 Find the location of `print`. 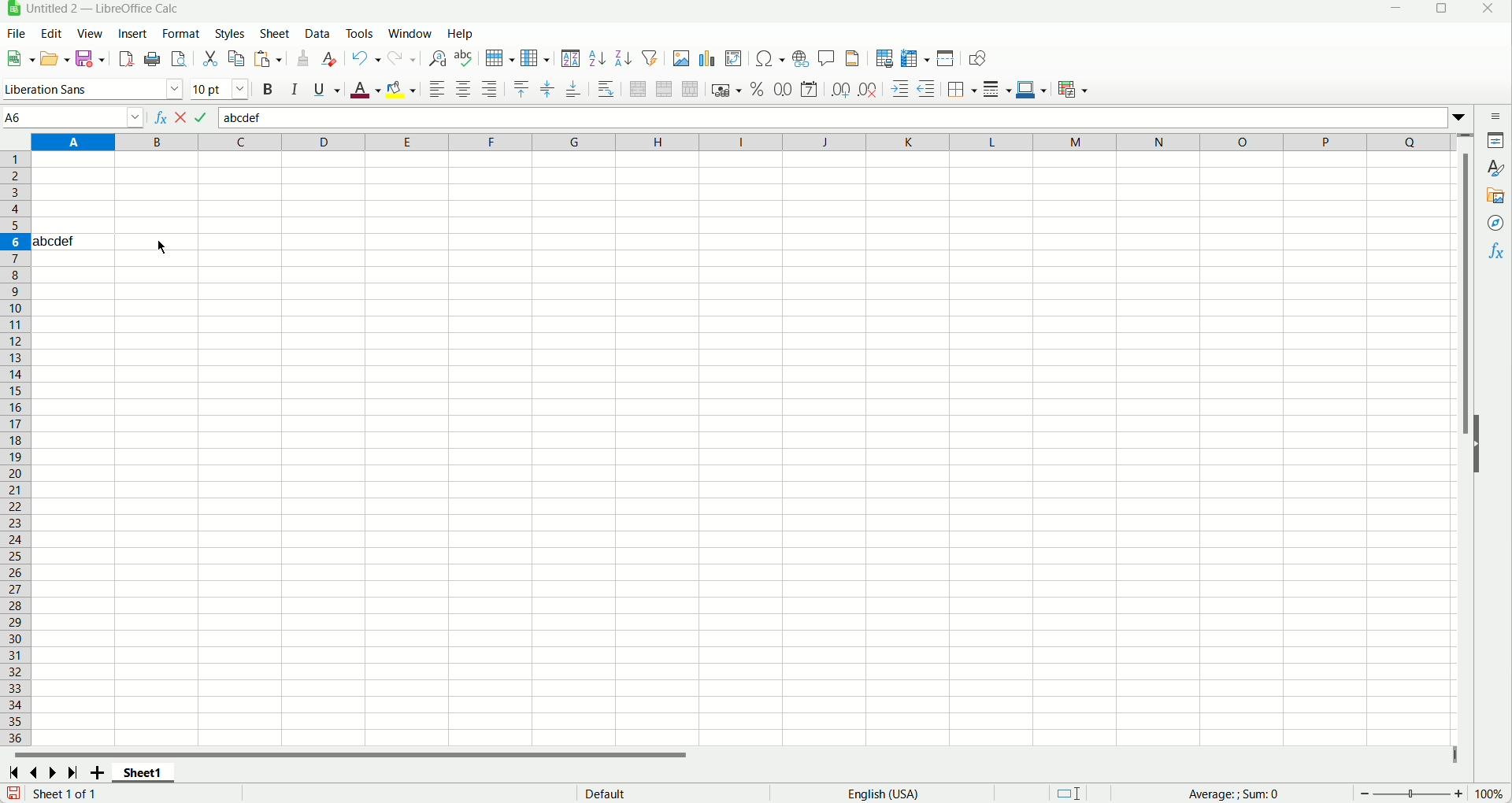

print is located at coordinates (153, 58).